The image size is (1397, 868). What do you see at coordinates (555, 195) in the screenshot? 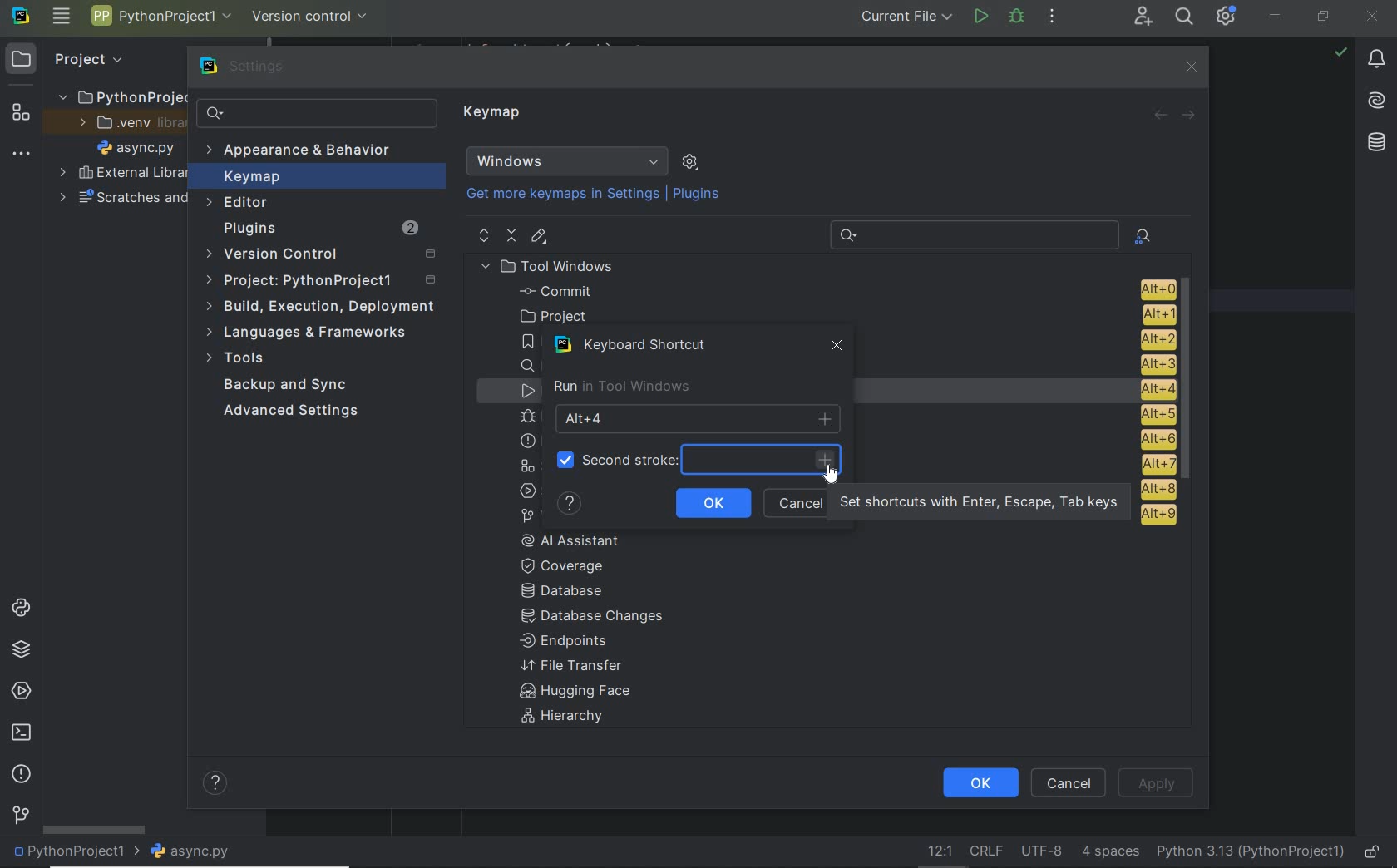
I see `Get more keymaps in Settings` at bounding box center [555, 195].